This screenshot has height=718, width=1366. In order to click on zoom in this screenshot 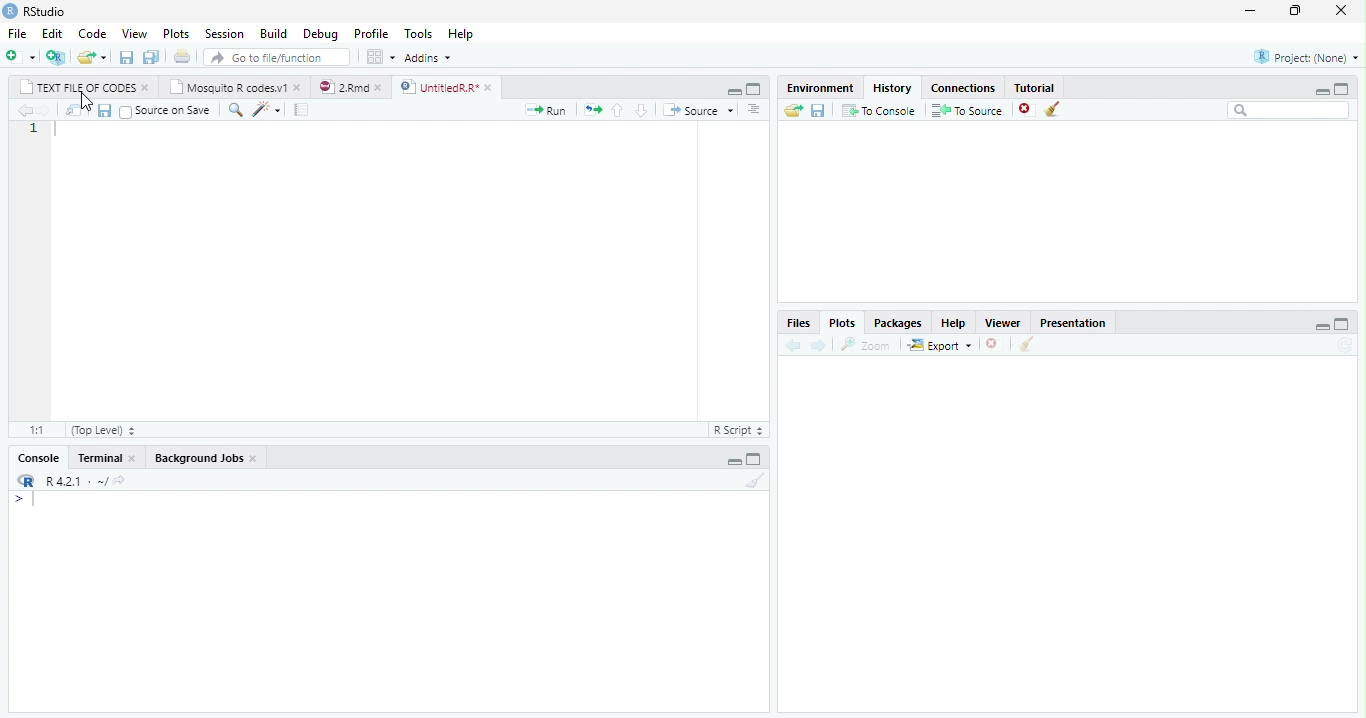, I will do `click(867, 344)`.